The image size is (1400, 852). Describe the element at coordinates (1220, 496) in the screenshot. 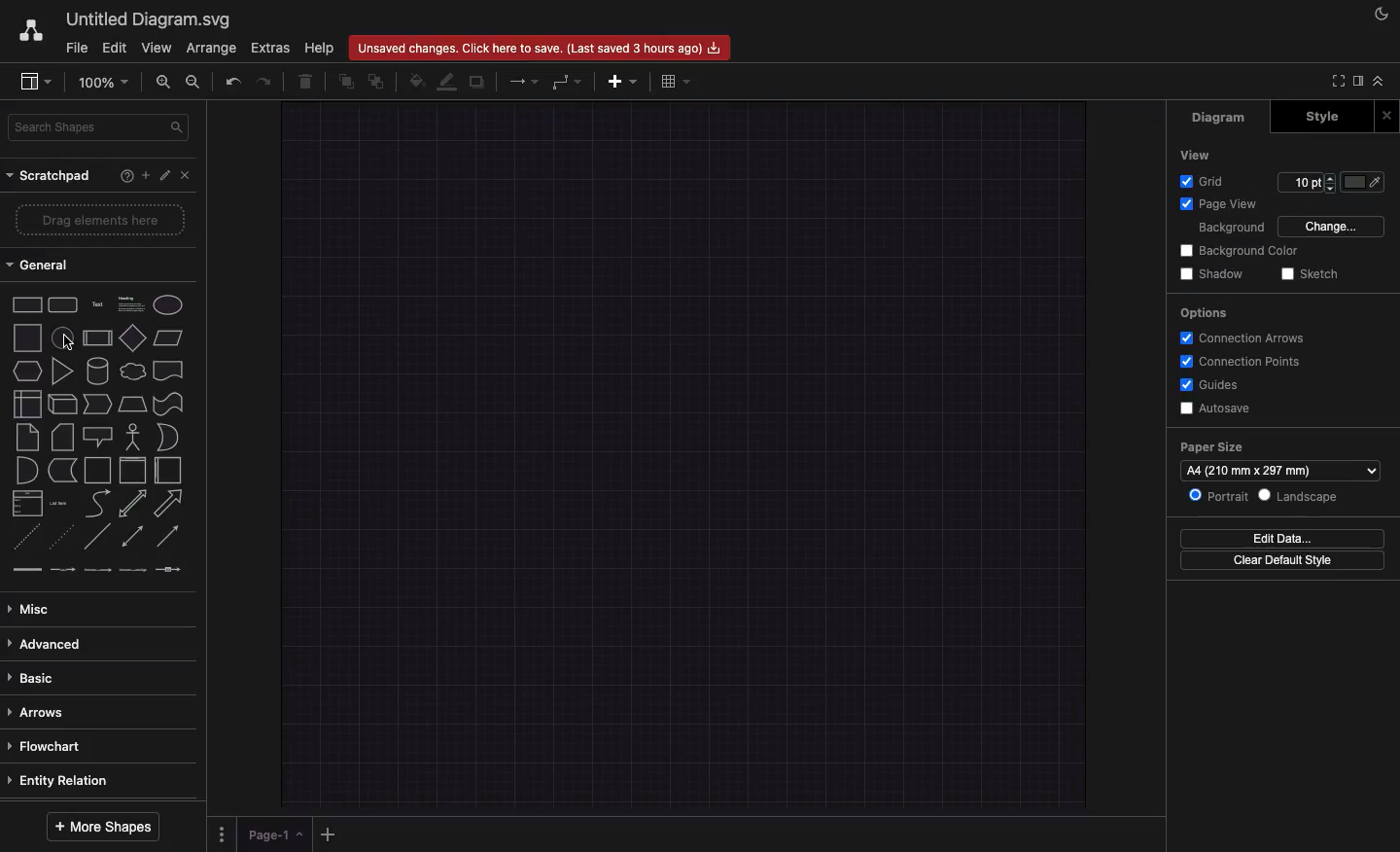

I see `Portrait` at that location.